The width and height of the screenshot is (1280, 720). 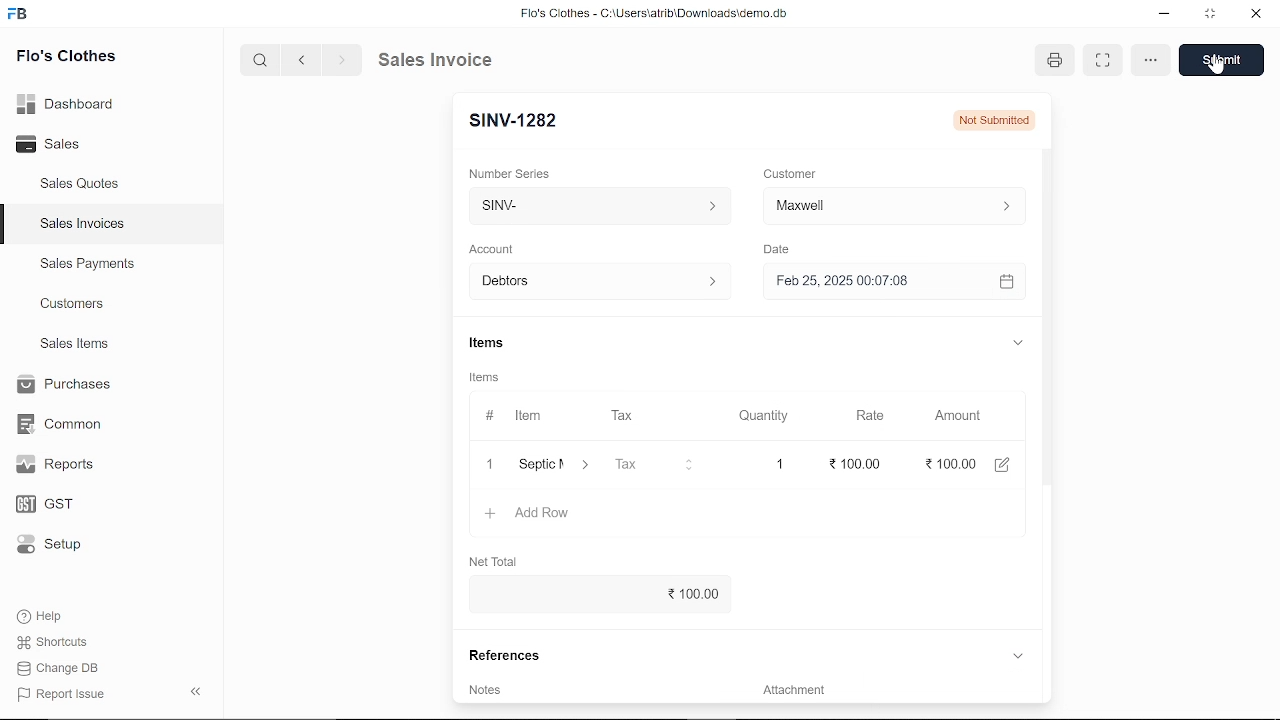 What do you see at coordinates (491, 343) in the screenshot?
I see `Items` at bounding box center [491, 343].